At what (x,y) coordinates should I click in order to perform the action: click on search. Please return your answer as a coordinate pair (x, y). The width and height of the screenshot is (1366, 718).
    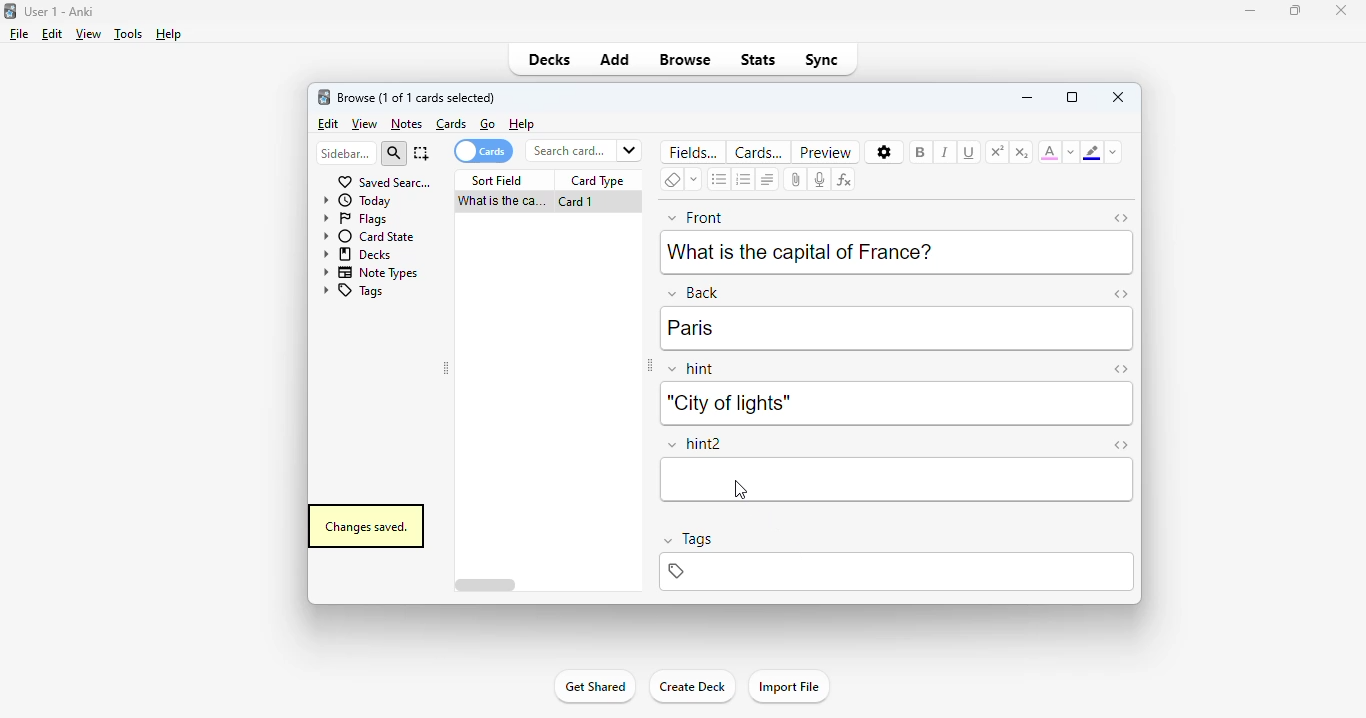
    Looking at the image, I should click on (394, 154).